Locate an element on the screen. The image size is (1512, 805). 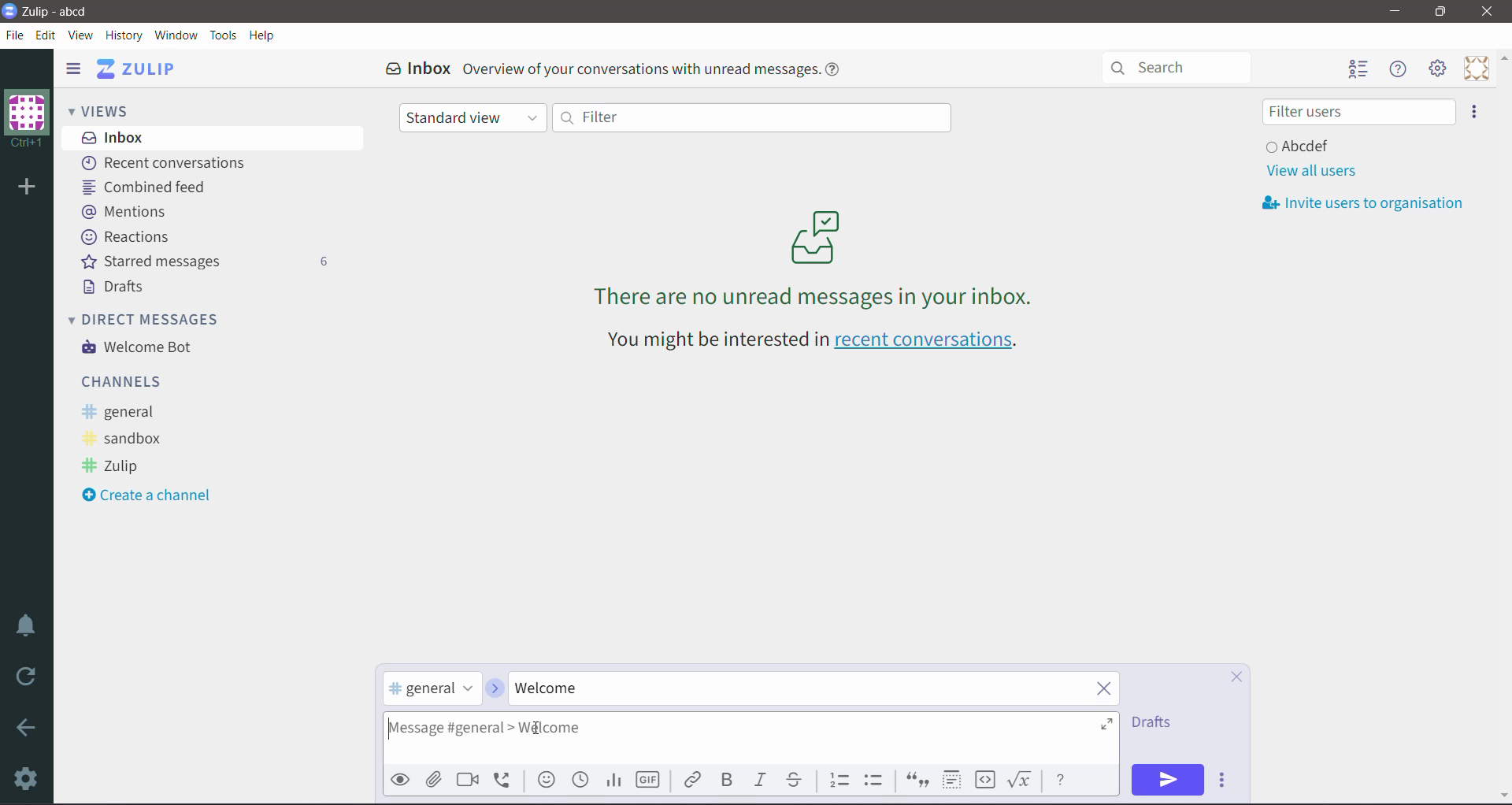
You might be interested in recent conversations - Click link to open recent conversations is located at coordinates (817, 342).